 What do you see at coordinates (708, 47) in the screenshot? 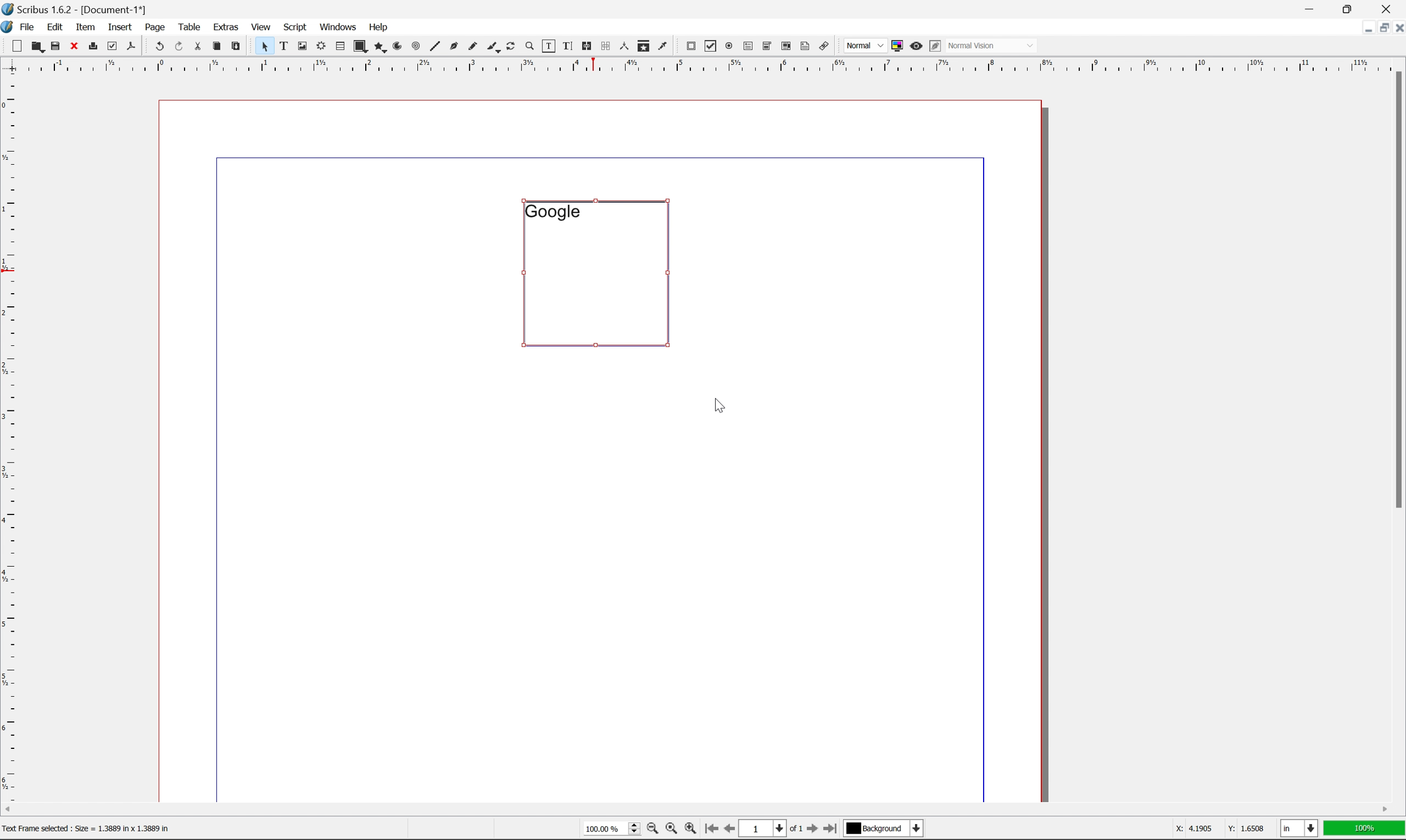
I see `pdf checkbox` at bounding box center [708, 47].